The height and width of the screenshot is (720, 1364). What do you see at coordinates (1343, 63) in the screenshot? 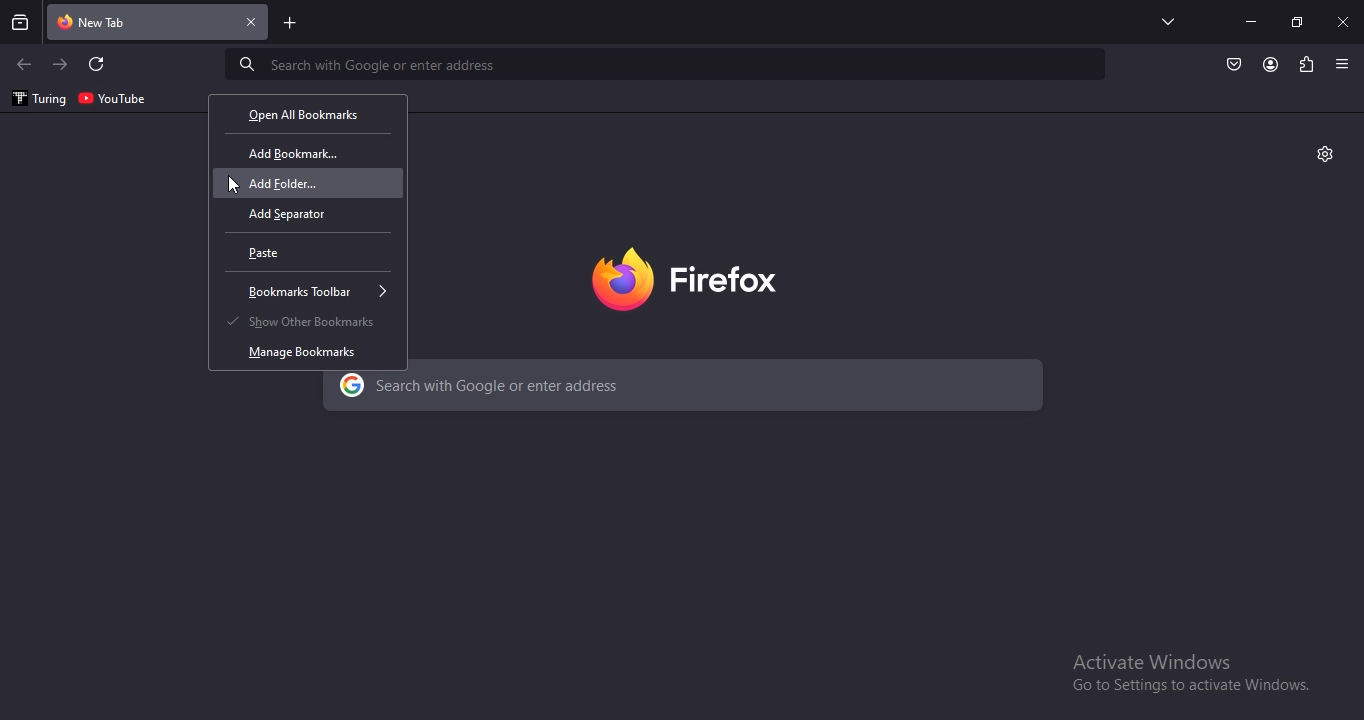
I see `view settings menu` at bounding box center [1343, 63].